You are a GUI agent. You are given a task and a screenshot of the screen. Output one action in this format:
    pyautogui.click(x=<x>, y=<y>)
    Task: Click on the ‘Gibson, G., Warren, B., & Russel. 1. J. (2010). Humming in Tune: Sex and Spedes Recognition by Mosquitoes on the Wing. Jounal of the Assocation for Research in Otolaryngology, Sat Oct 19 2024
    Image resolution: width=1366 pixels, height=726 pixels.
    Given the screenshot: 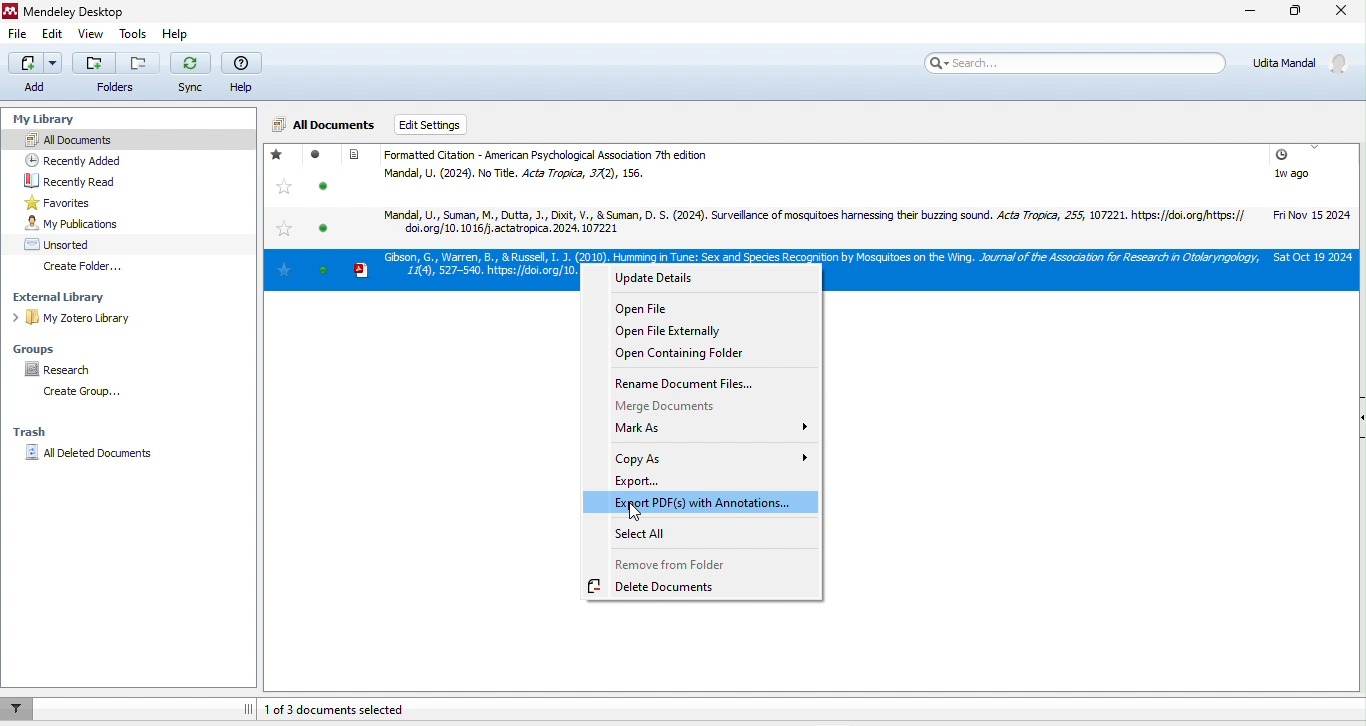 What is the action you would take?
    pyautogui.click(x=810, y=255)
    